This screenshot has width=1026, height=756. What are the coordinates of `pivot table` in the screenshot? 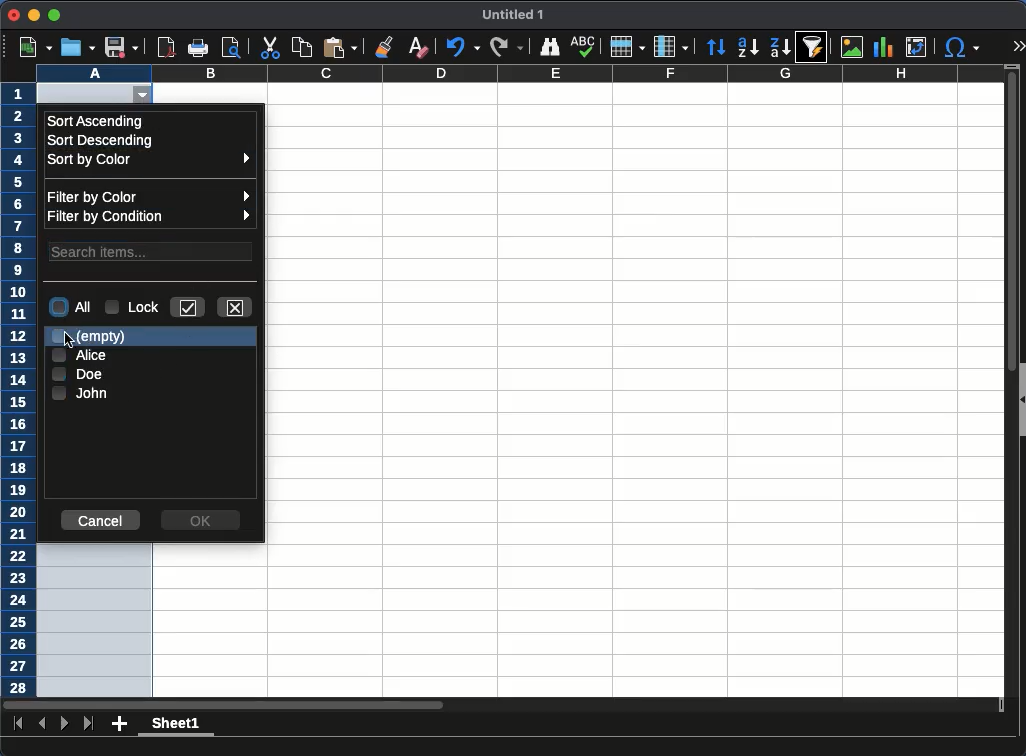 It's located at (918, 47).